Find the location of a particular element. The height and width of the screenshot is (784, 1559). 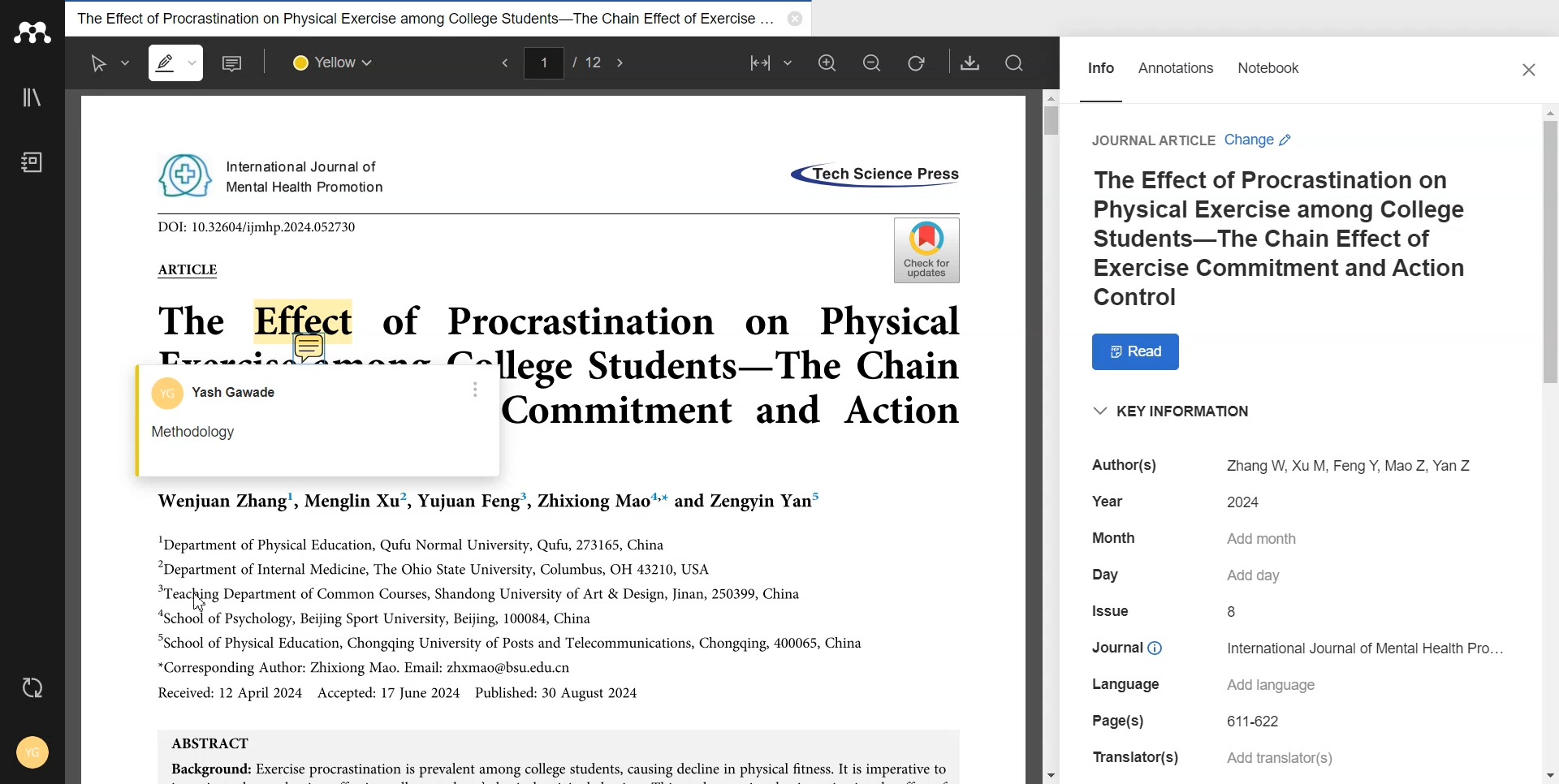

Account is located at coordinates (29, 748).